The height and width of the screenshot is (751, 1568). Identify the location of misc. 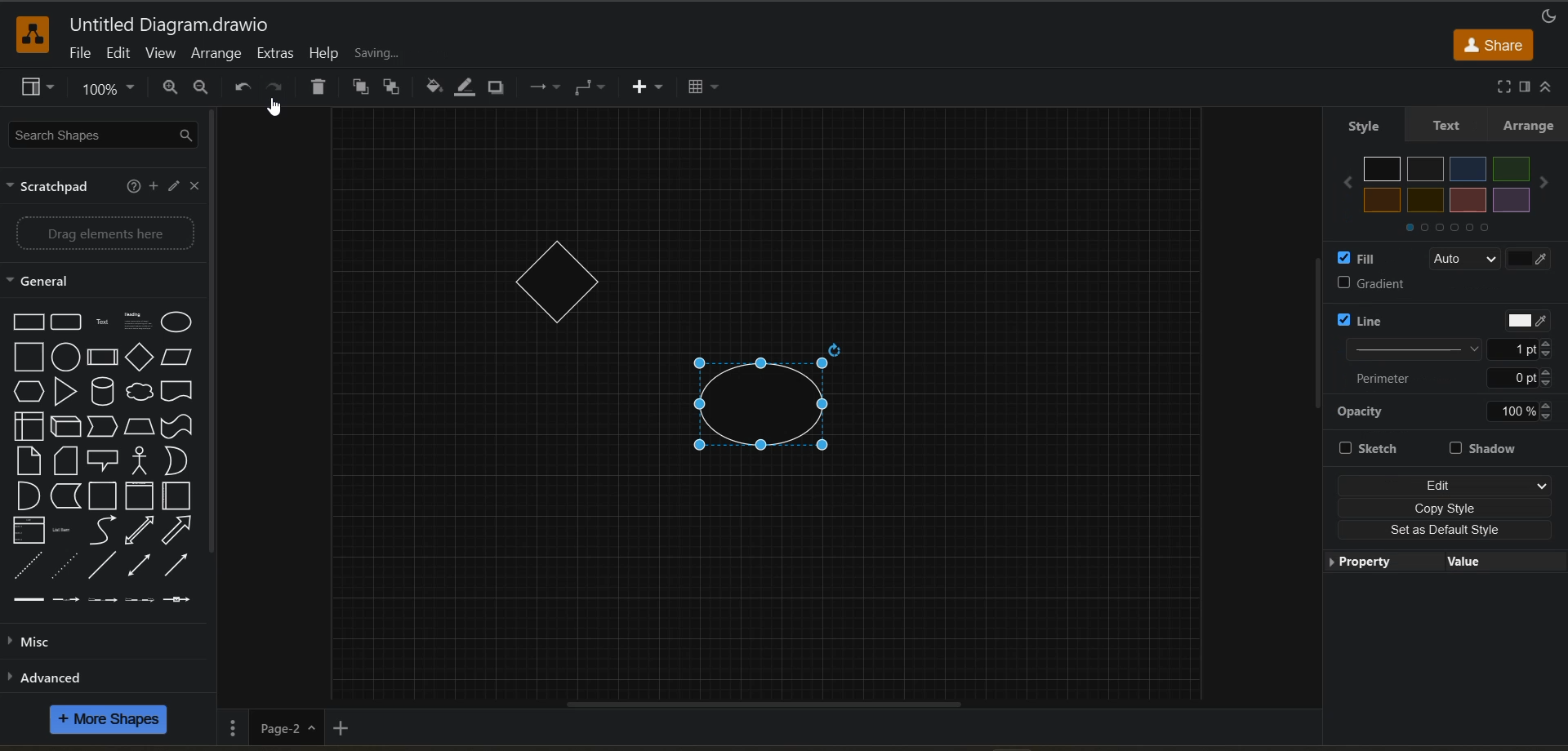
(33, 640).